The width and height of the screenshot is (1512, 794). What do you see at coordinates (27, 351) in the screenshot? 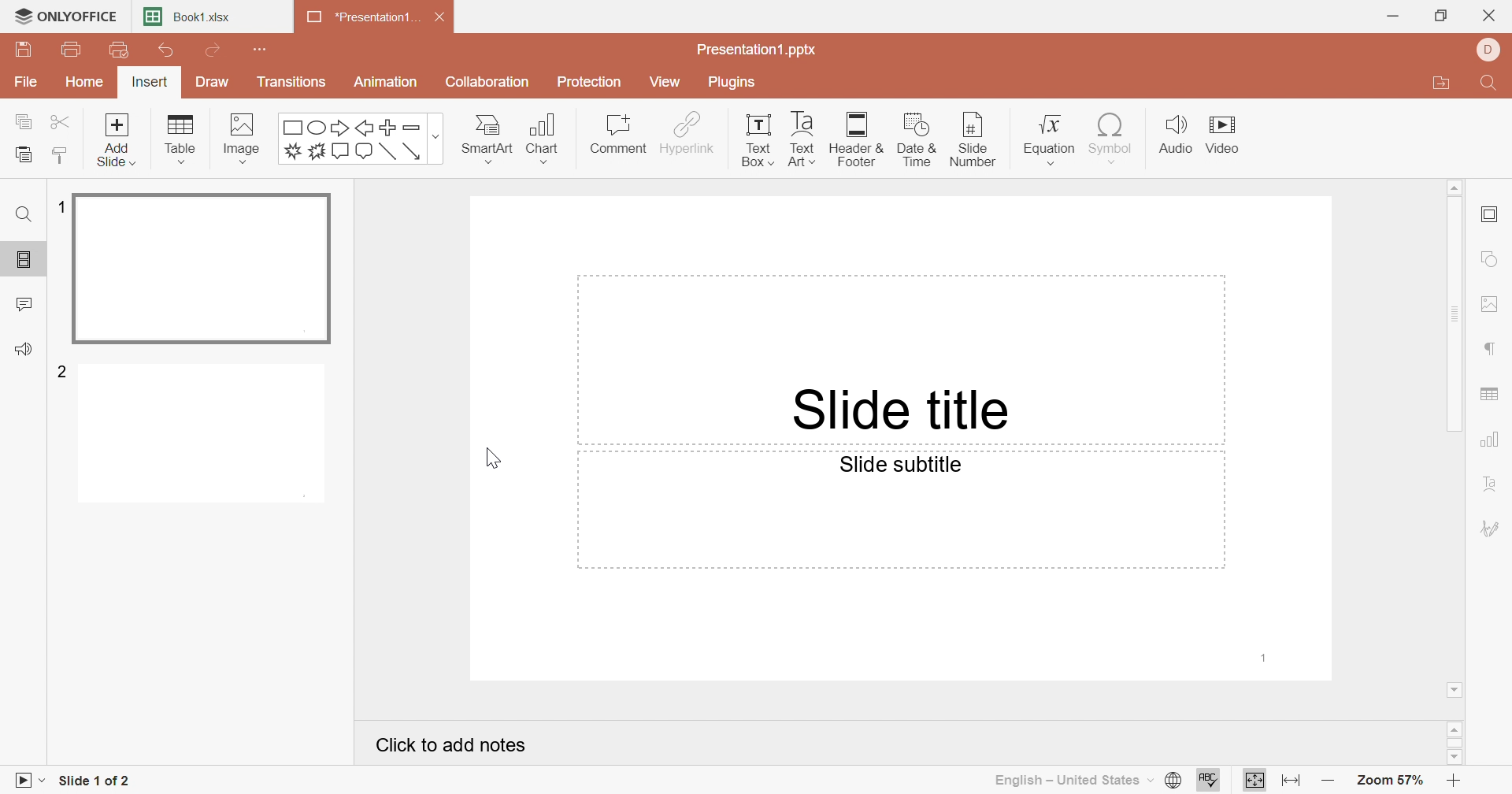
I see `Feedback & Support` at bounding box center [27, 351].